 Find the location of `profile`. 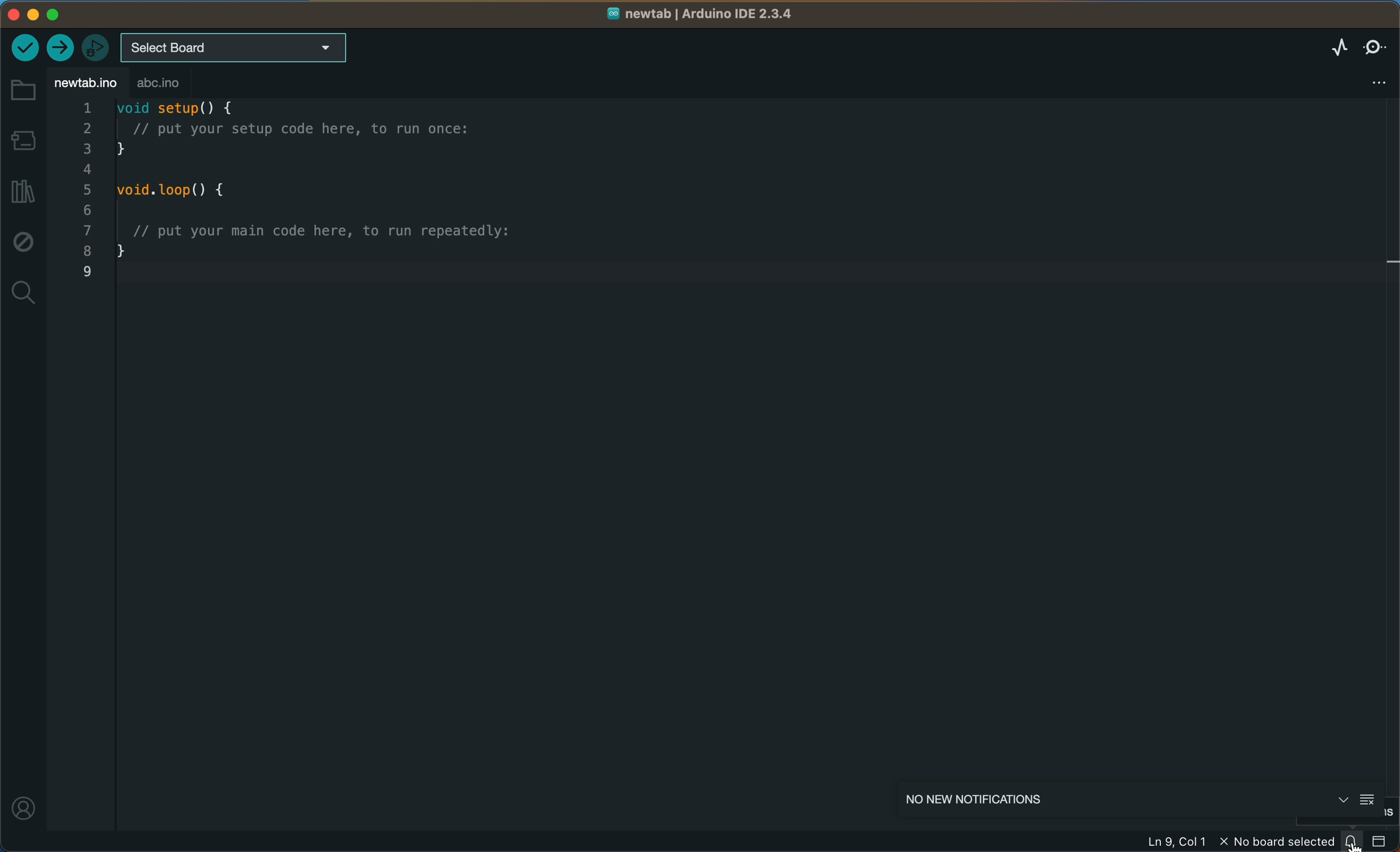

profile is located at coordinates (22, 803).